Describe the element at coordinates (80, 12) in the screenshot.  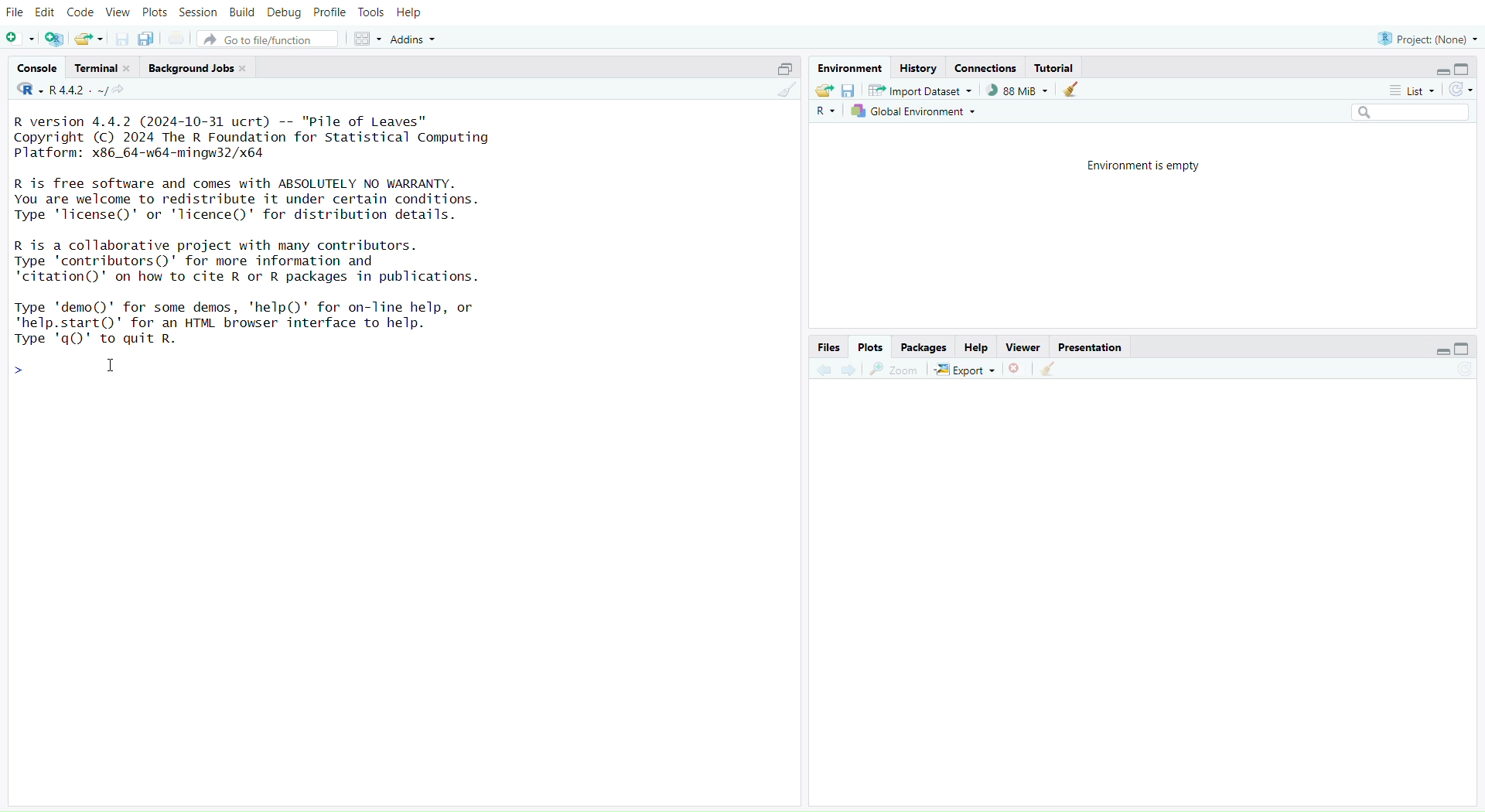
I see `code` at that location.